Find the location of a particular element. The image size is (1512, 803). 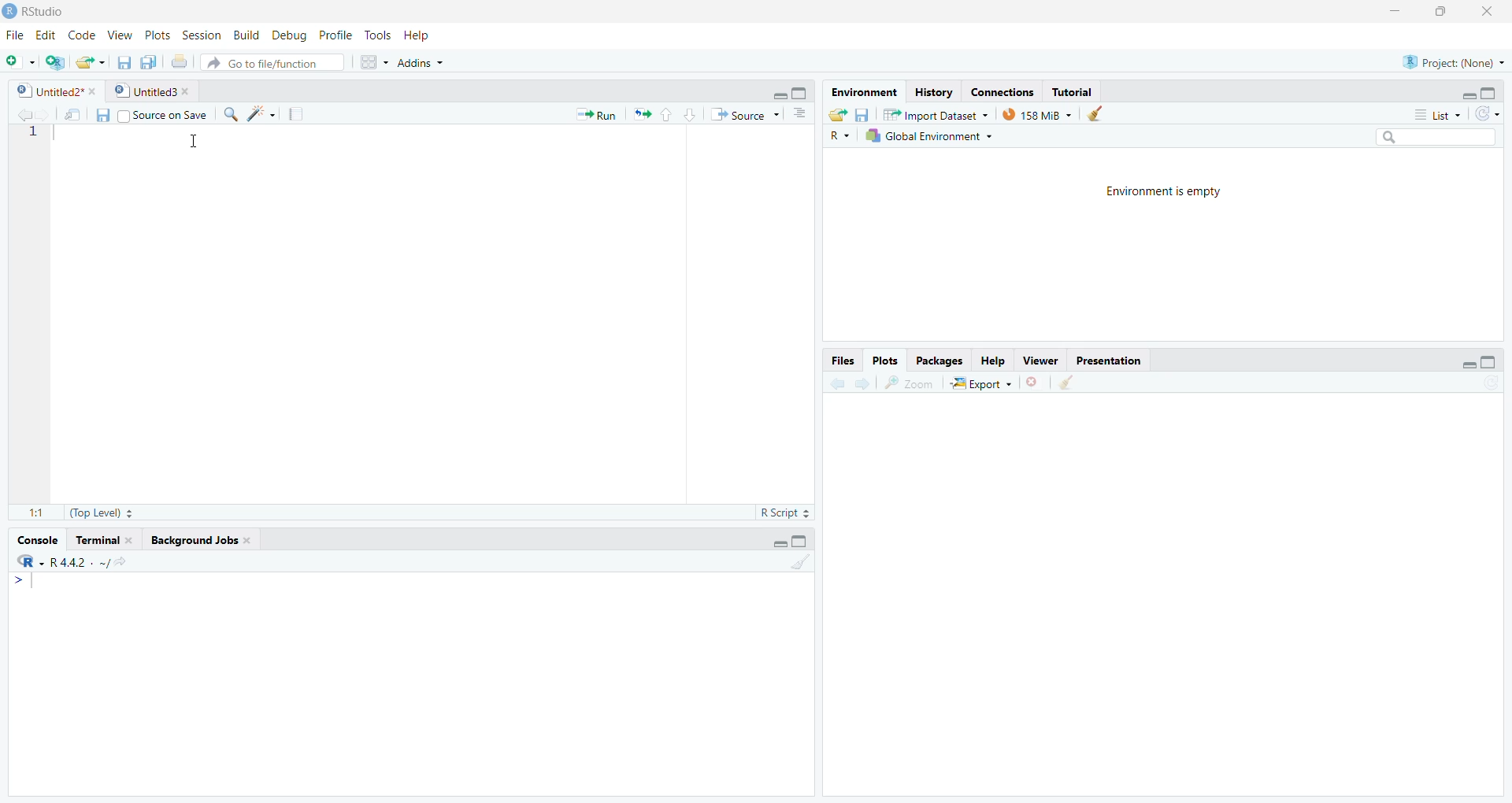

Language is located at coordinates (19, 561).